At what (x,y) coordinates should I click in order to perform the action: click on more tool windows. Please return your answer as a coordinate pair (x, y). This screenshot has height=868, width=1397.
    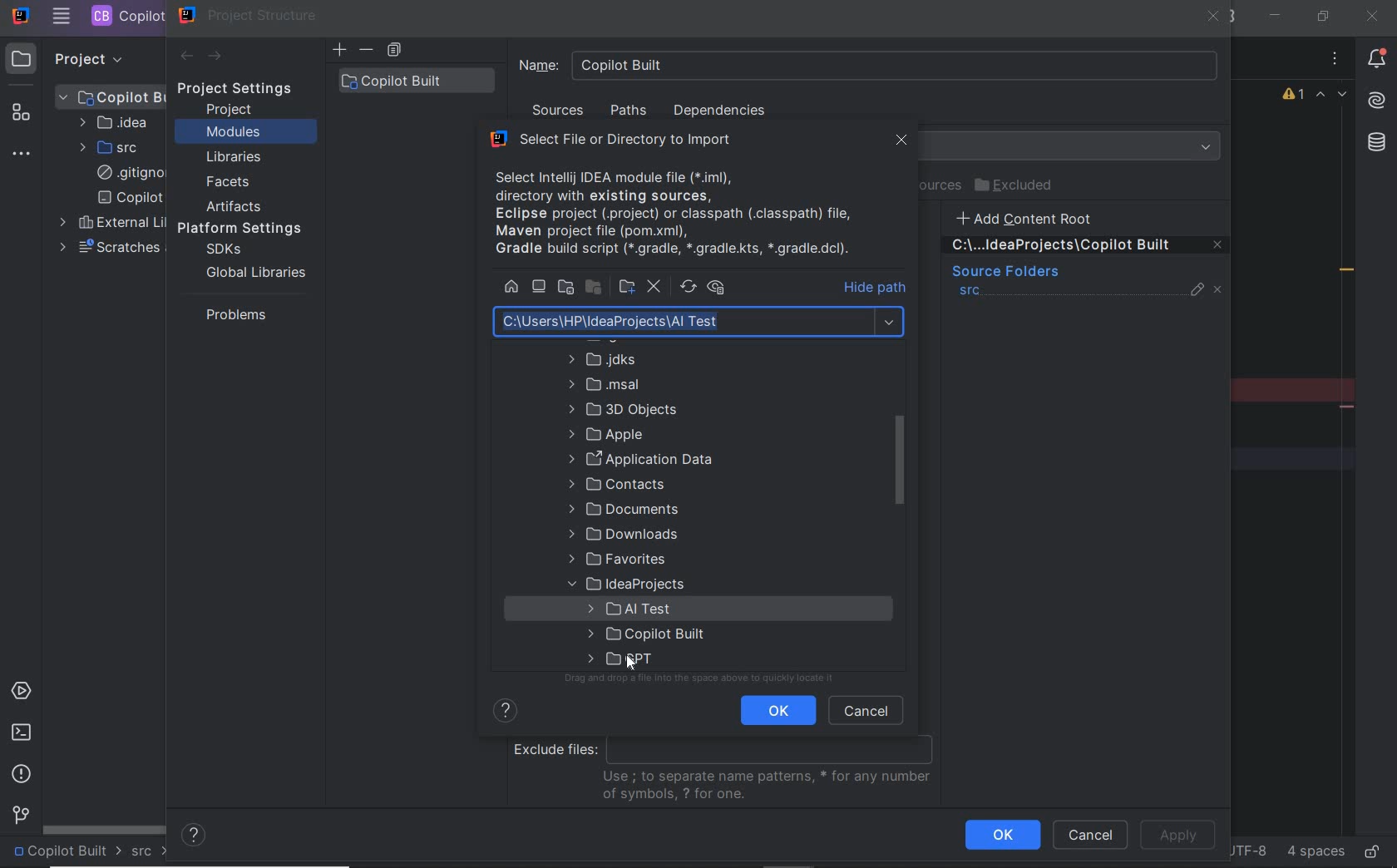
    Looking at the image, I should click on (23, 155).